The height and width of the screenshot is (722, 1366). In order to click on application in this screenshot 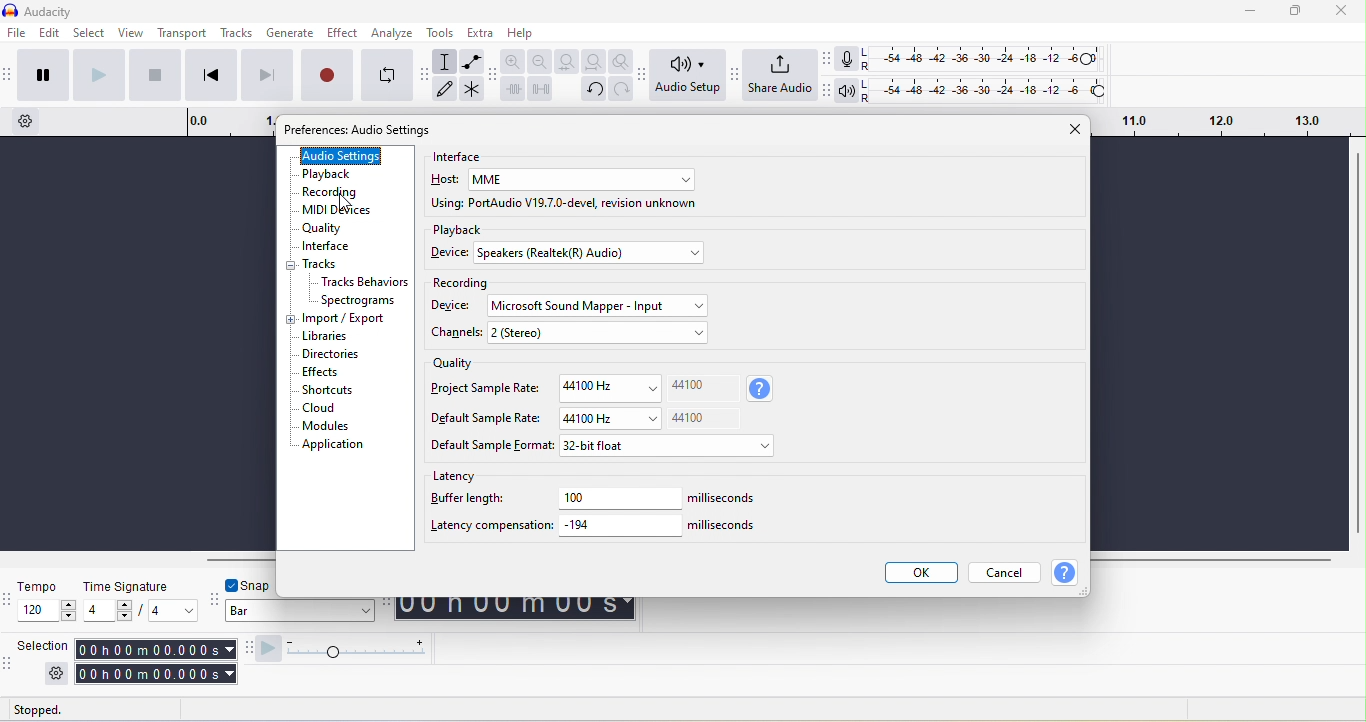, I will do `click(334, 446)`.